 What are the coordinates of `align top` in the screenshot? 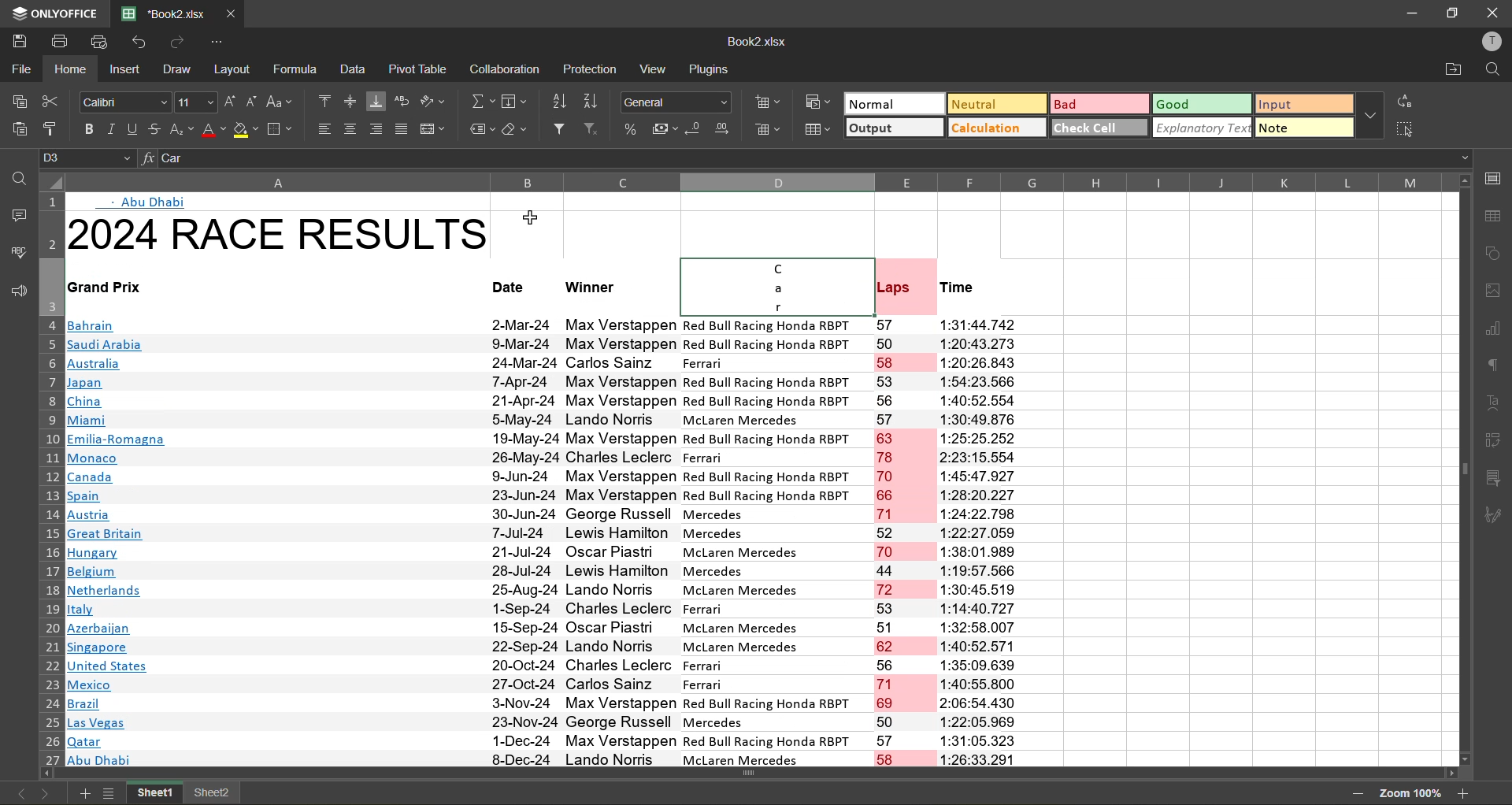 It's located at (326, 100).